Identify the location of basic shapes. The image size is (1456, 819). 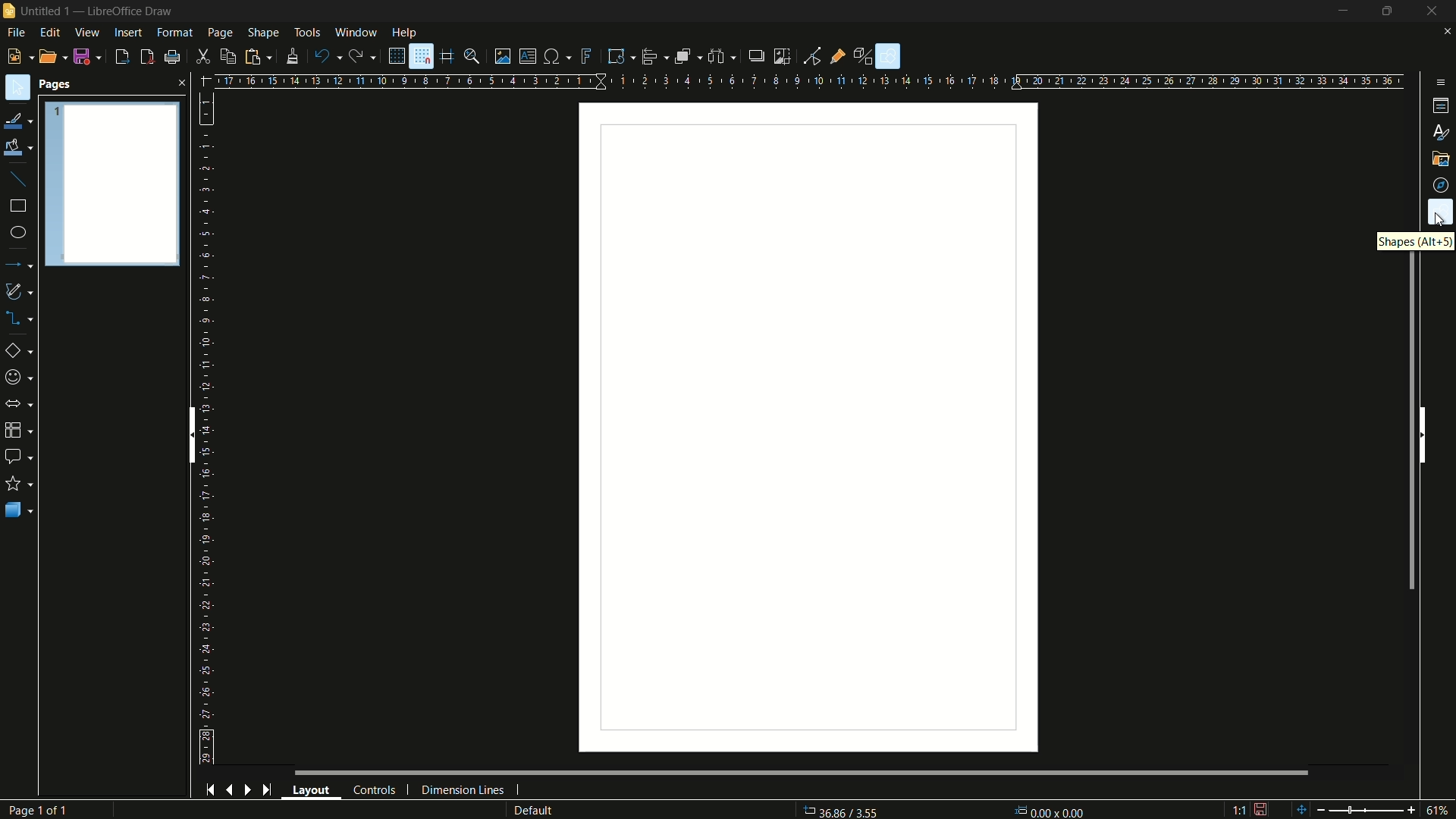
(23, 350).